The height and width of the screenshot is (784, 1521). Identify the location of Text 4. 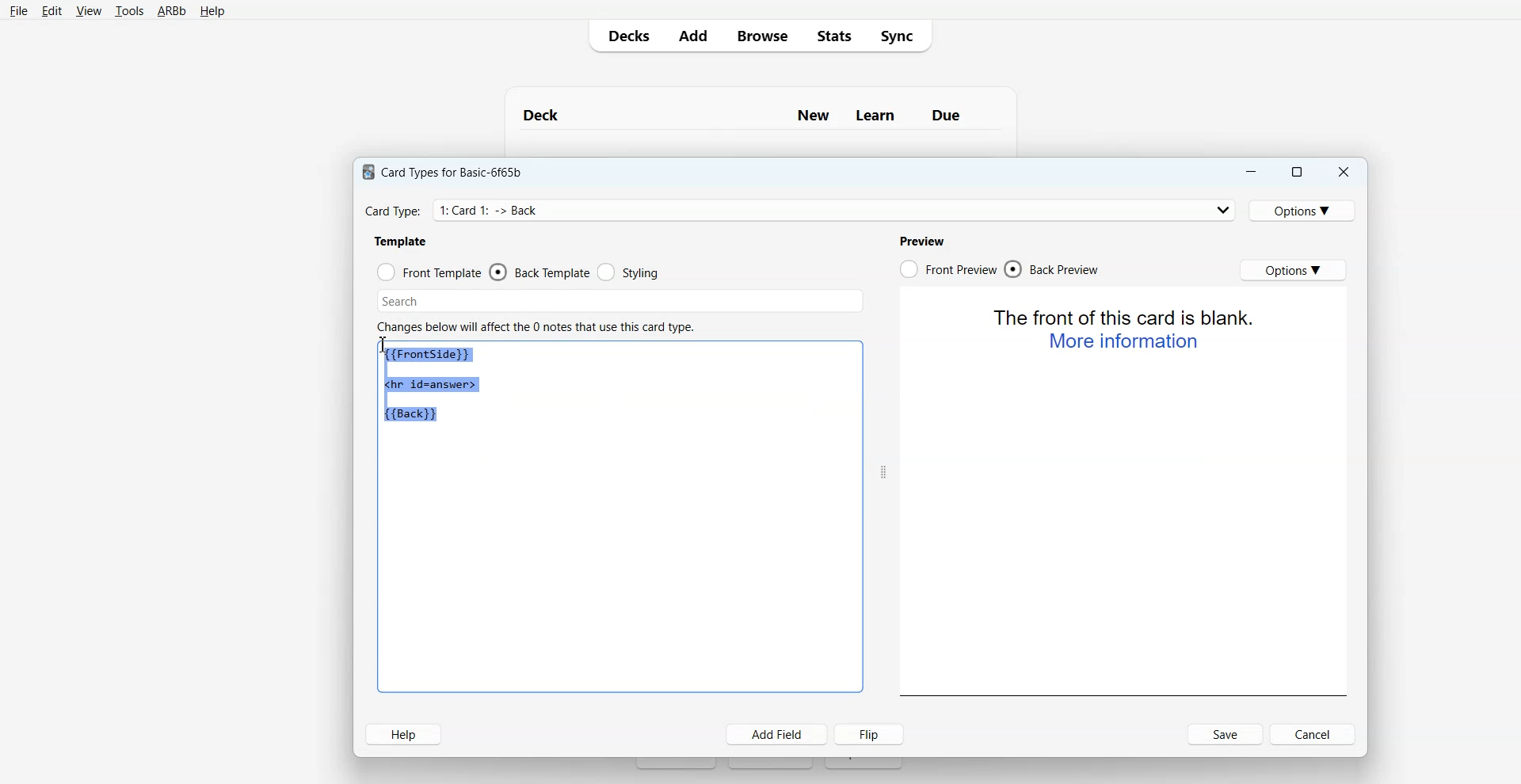
(925, 239).